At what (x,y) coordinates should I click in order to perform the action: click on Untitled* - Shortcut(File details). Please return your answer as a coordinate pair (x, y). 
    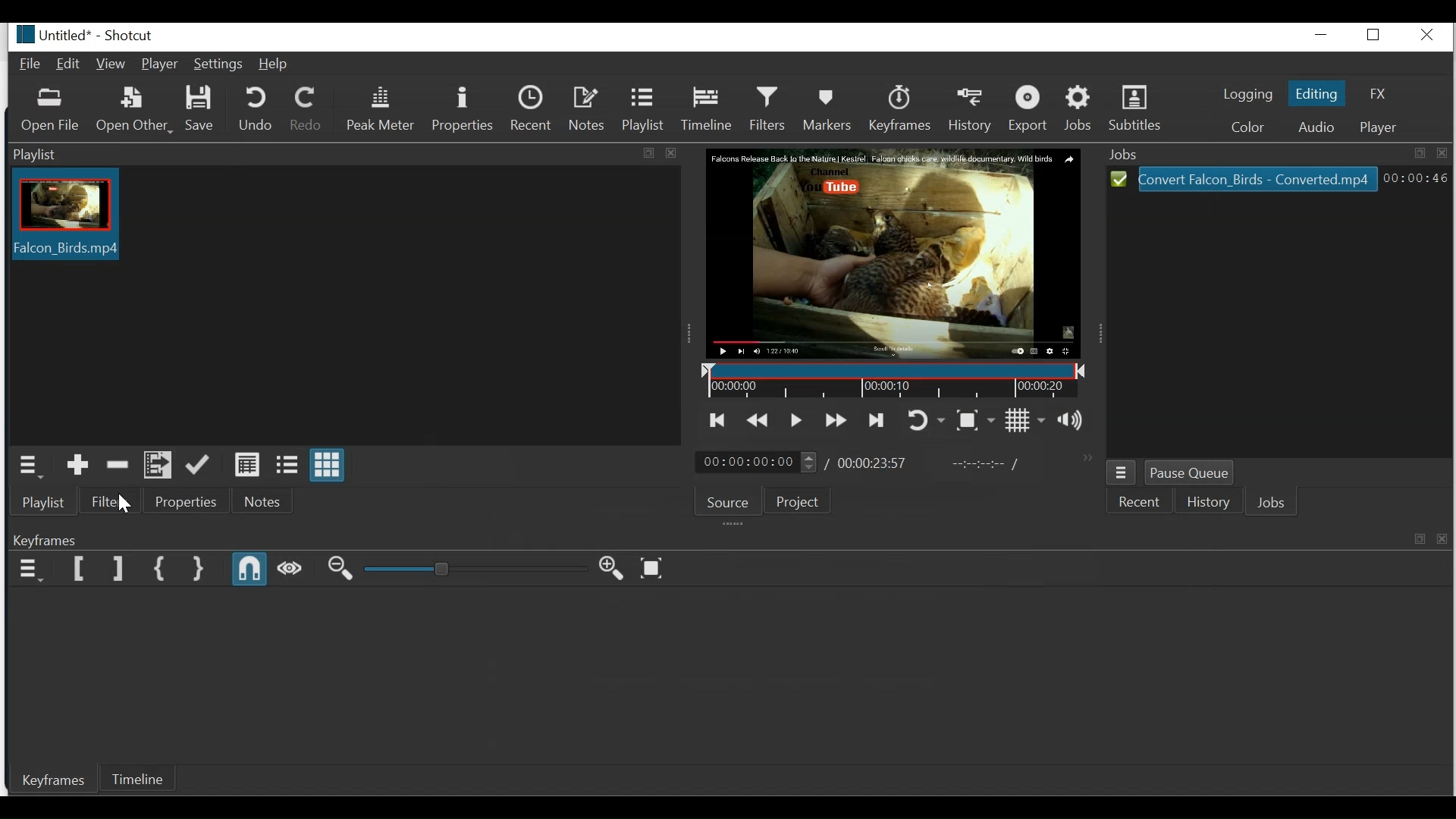
    Looking at the image, I should click on (89, 35).